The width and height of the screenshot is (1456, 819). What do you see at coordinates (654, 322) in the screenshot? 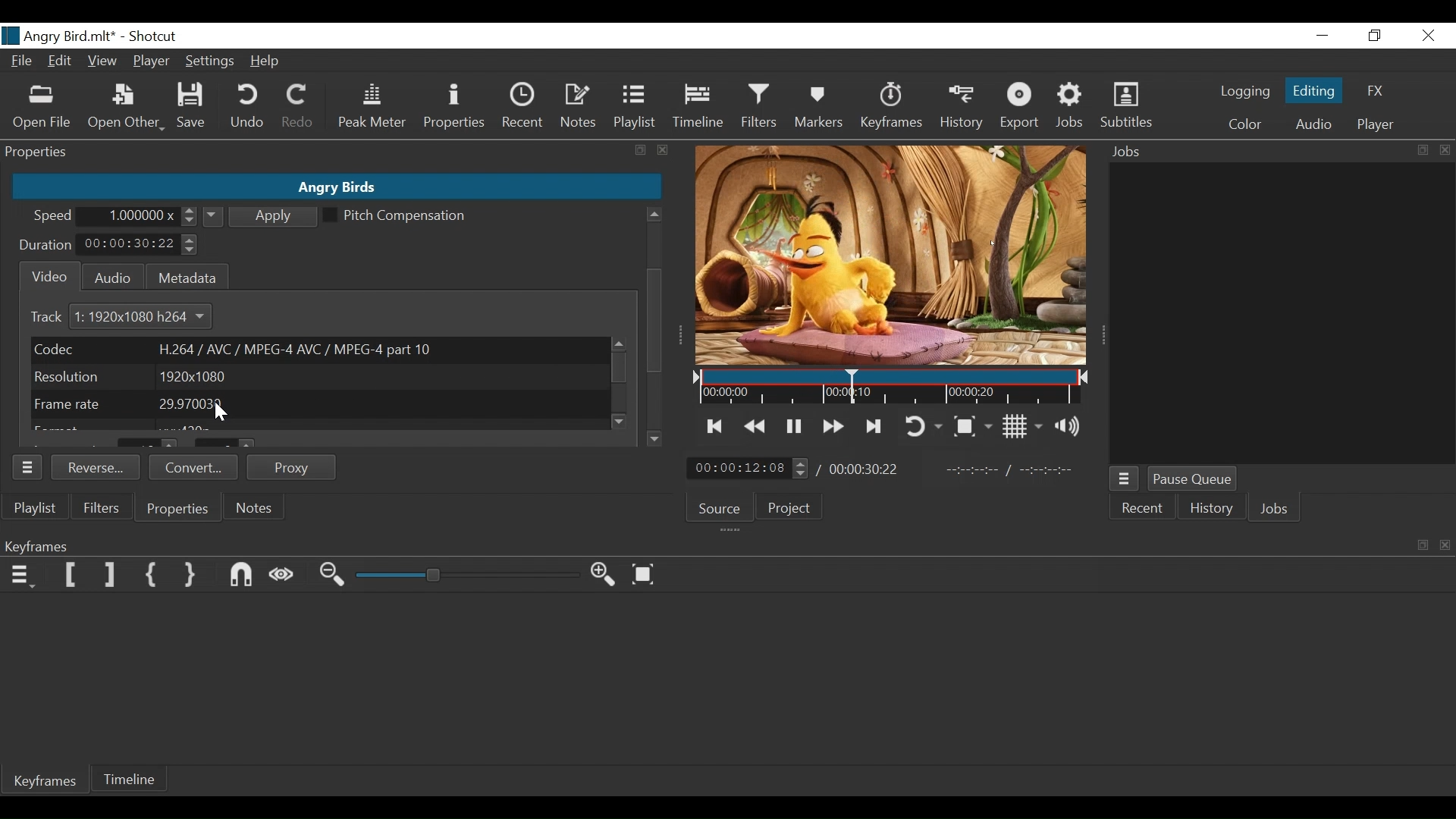
I see `Vertical Scroll bar` at bounding box center [654, 322].